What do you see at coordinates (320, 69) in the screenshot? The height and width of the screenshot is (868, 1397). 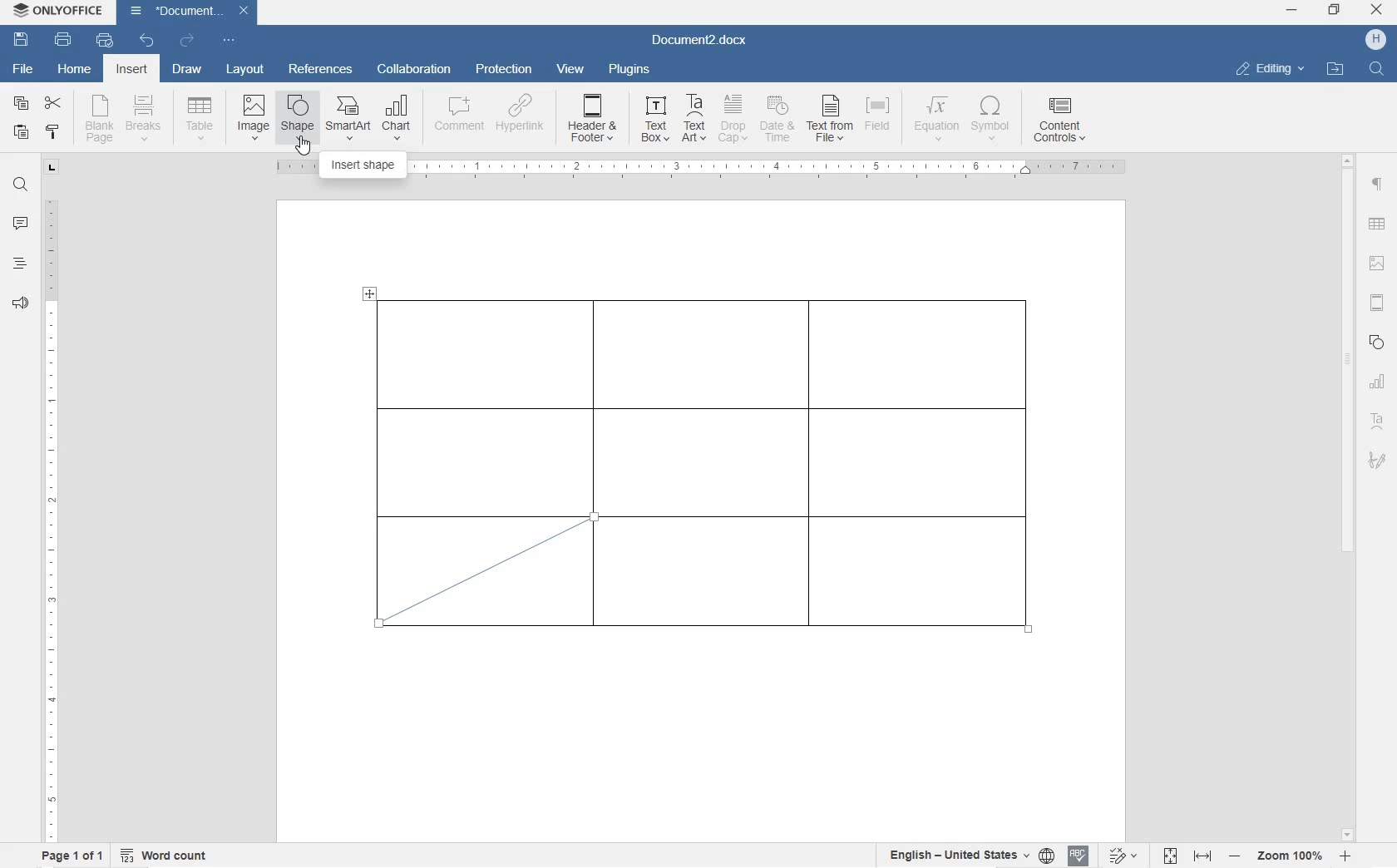 I see `references` at bounding box center [320, 69].